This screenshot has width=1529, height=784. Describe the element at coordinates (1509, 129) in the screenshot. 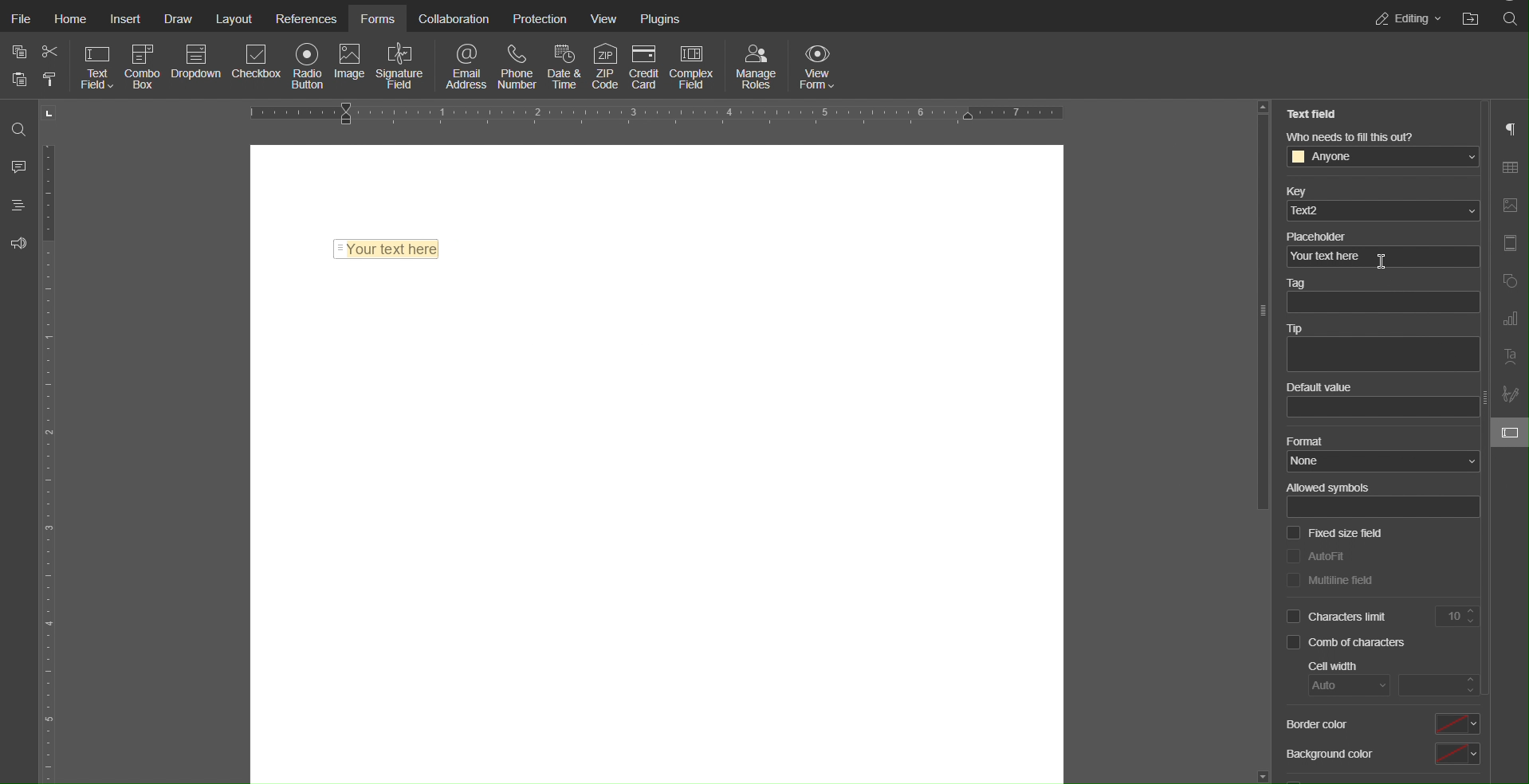

I see `Paragraph Settings` at that location.